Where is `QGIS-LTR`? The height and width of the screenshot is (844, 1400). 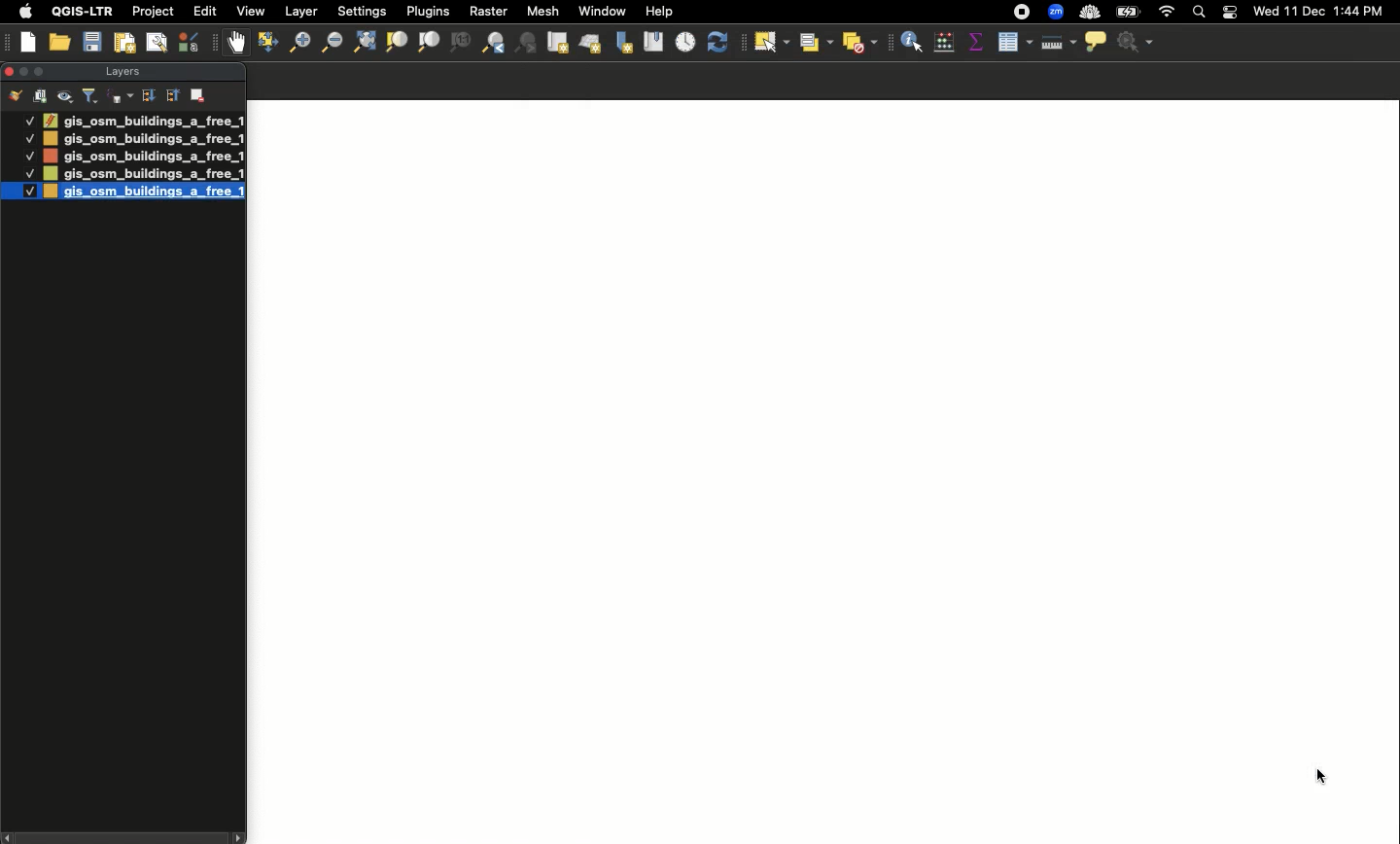 QGIS-LTR is located at coordinates (83, 11).